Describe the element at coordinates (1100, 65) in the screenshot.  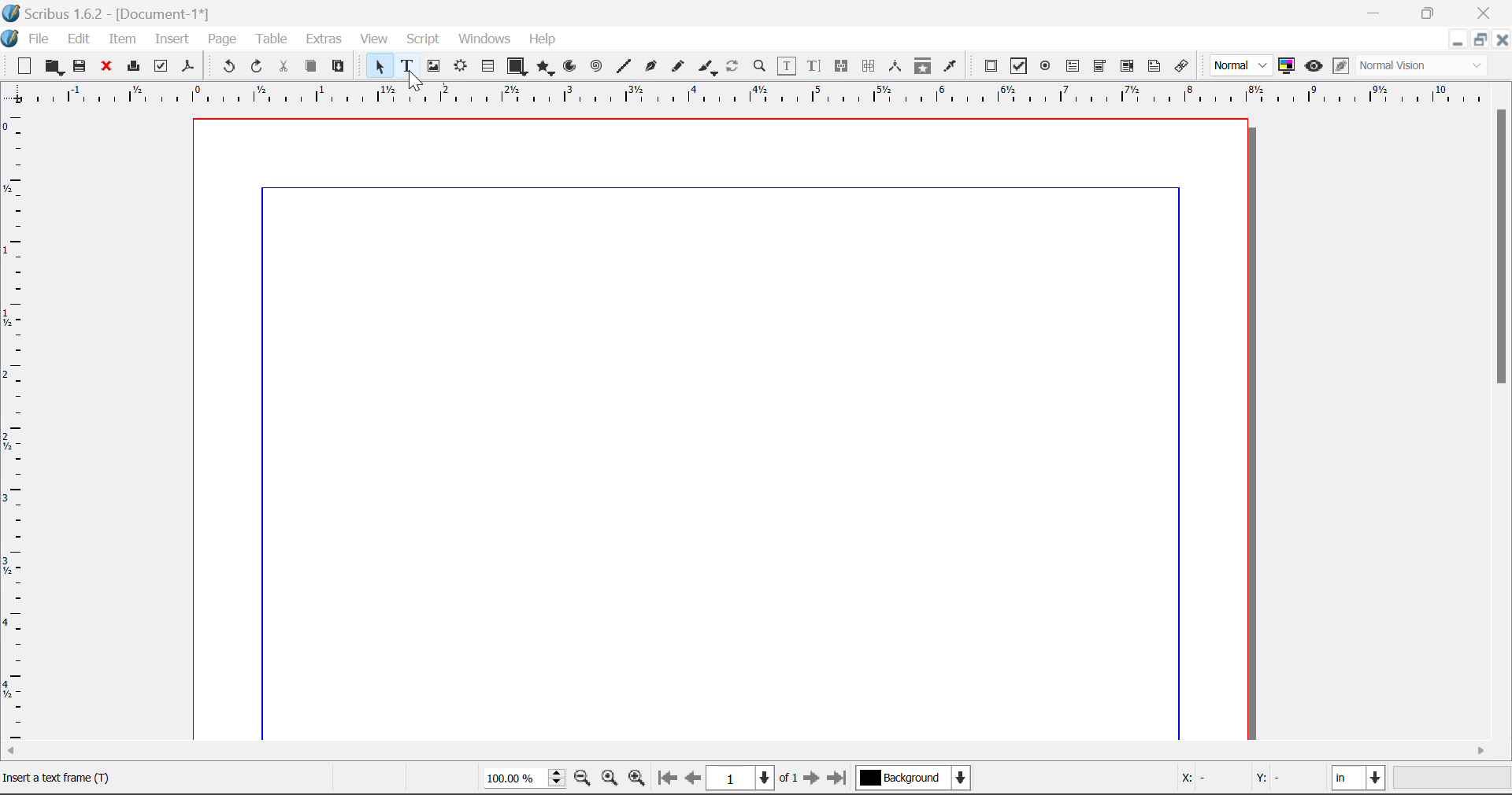
I see `Pdf Combo Box` at that location.